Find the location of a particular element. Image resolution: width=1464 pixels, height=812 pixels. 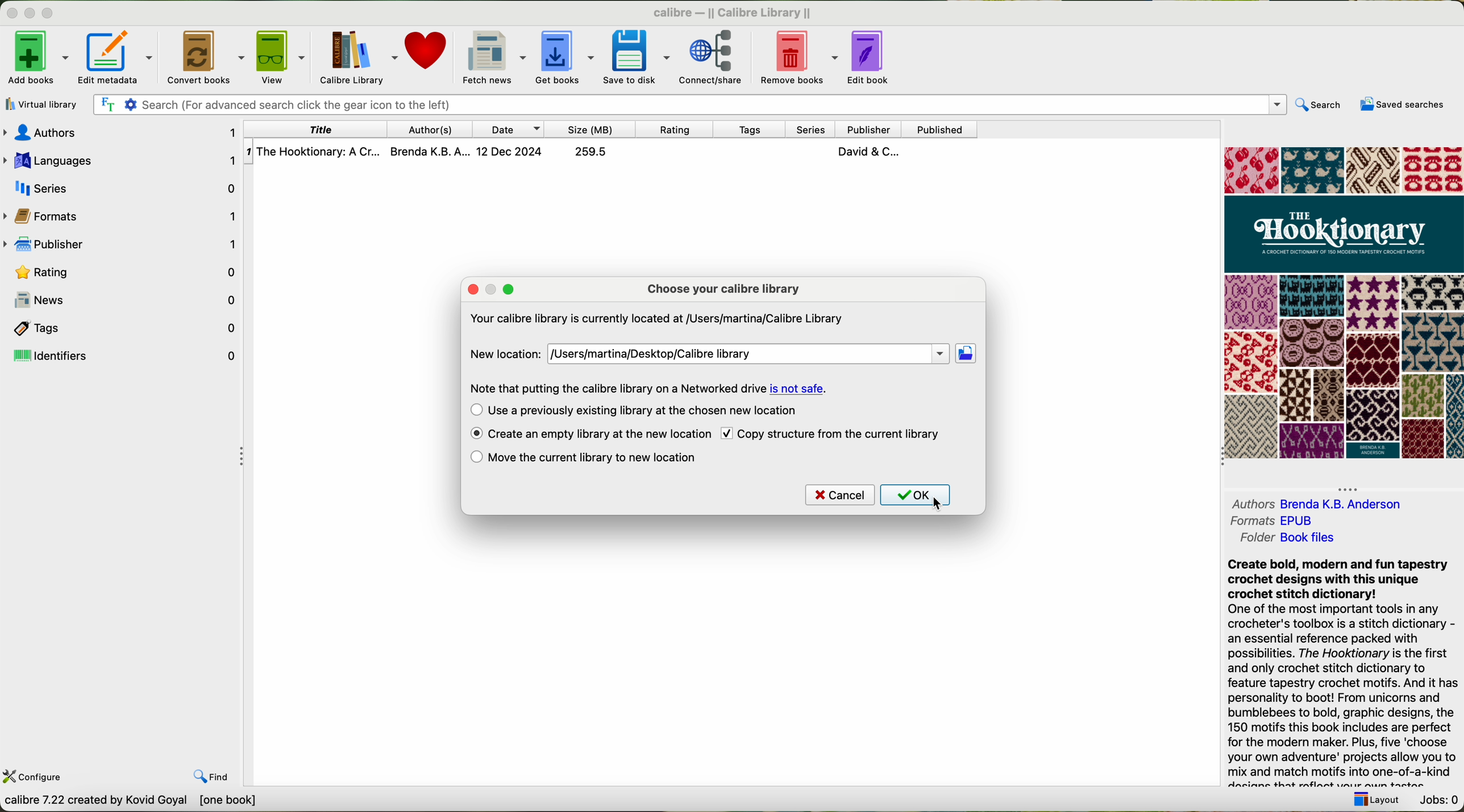

rating is located at coordinates (679, 129).